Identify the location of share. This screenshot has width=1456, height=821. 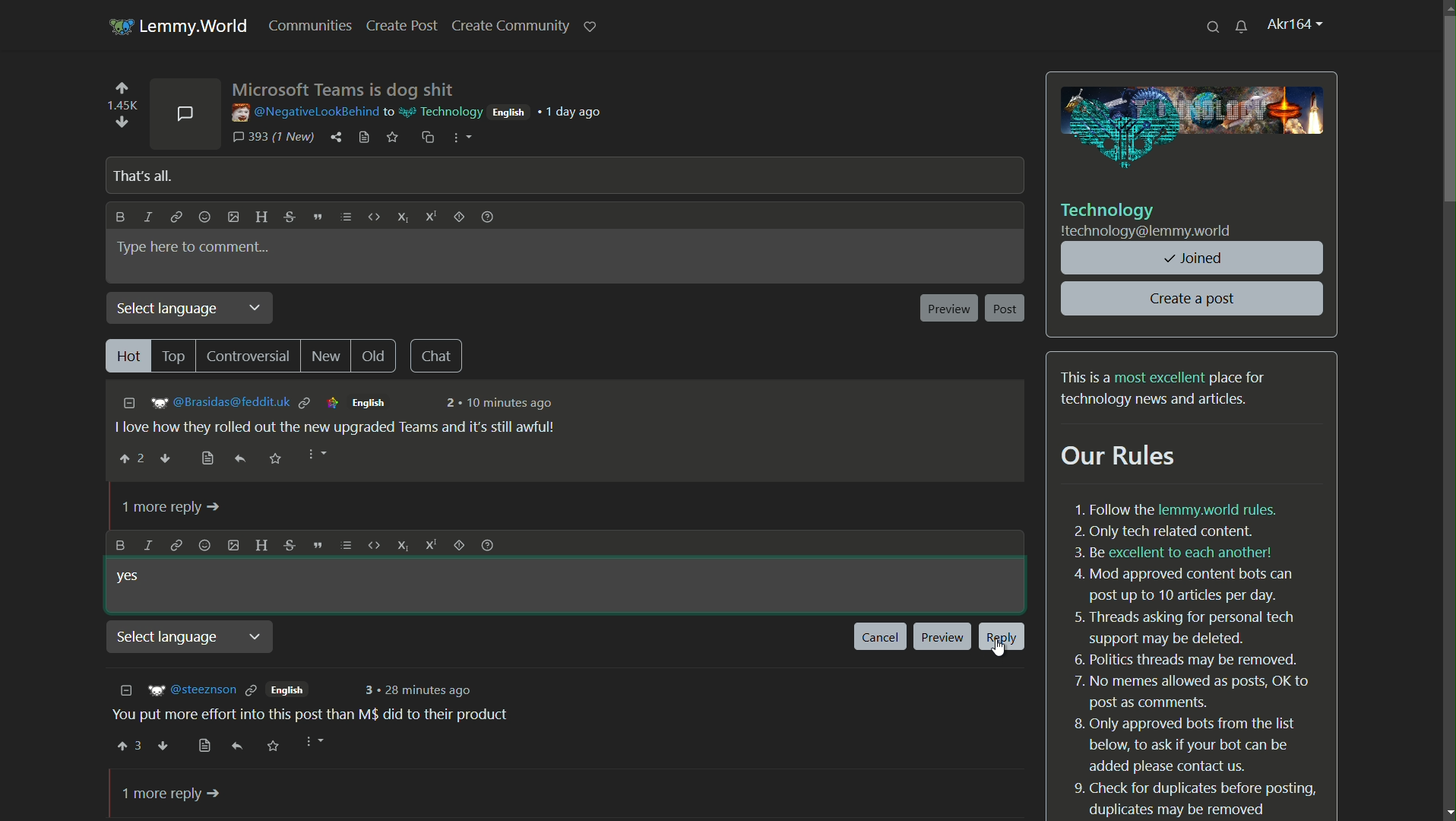
(337, 138).